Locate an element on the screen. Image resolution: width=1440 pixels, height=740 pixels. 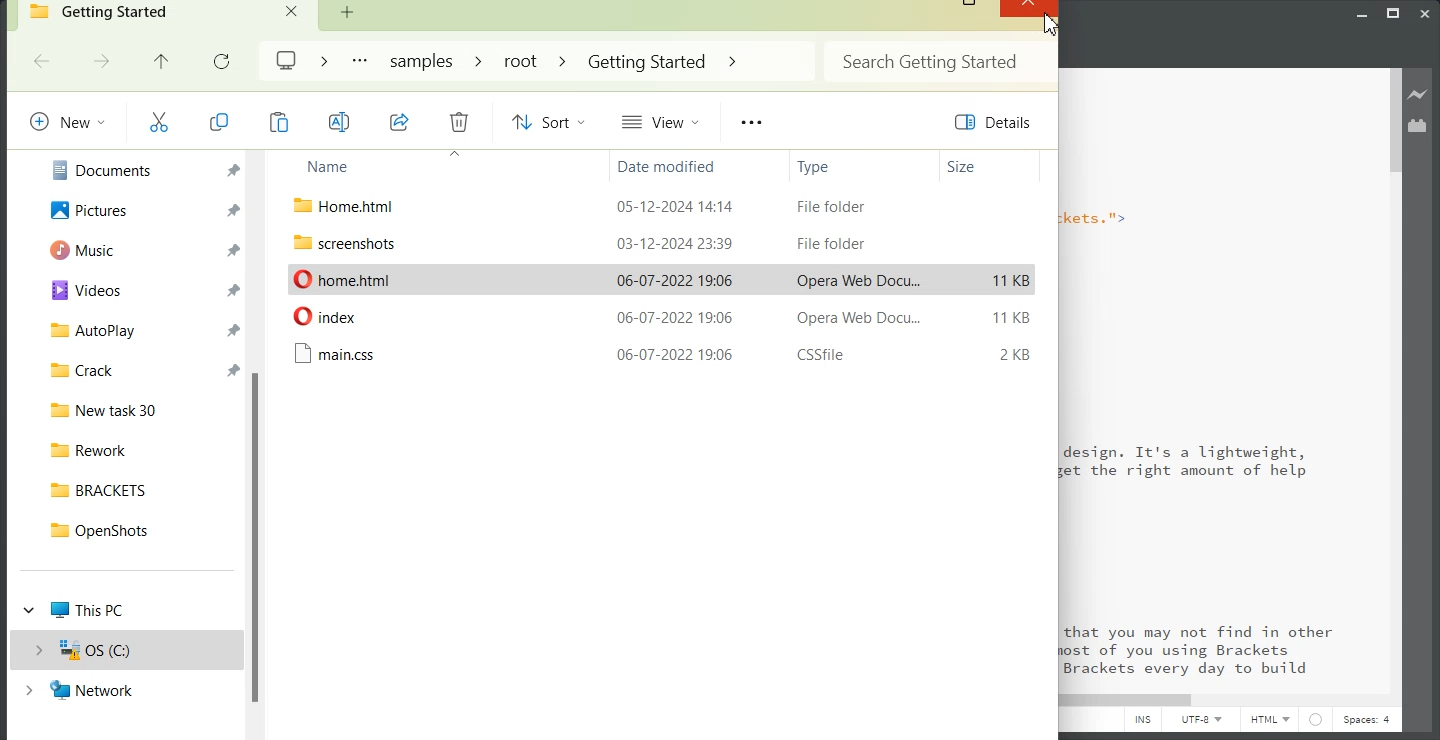
INS is located at coordinates (1142, 722).